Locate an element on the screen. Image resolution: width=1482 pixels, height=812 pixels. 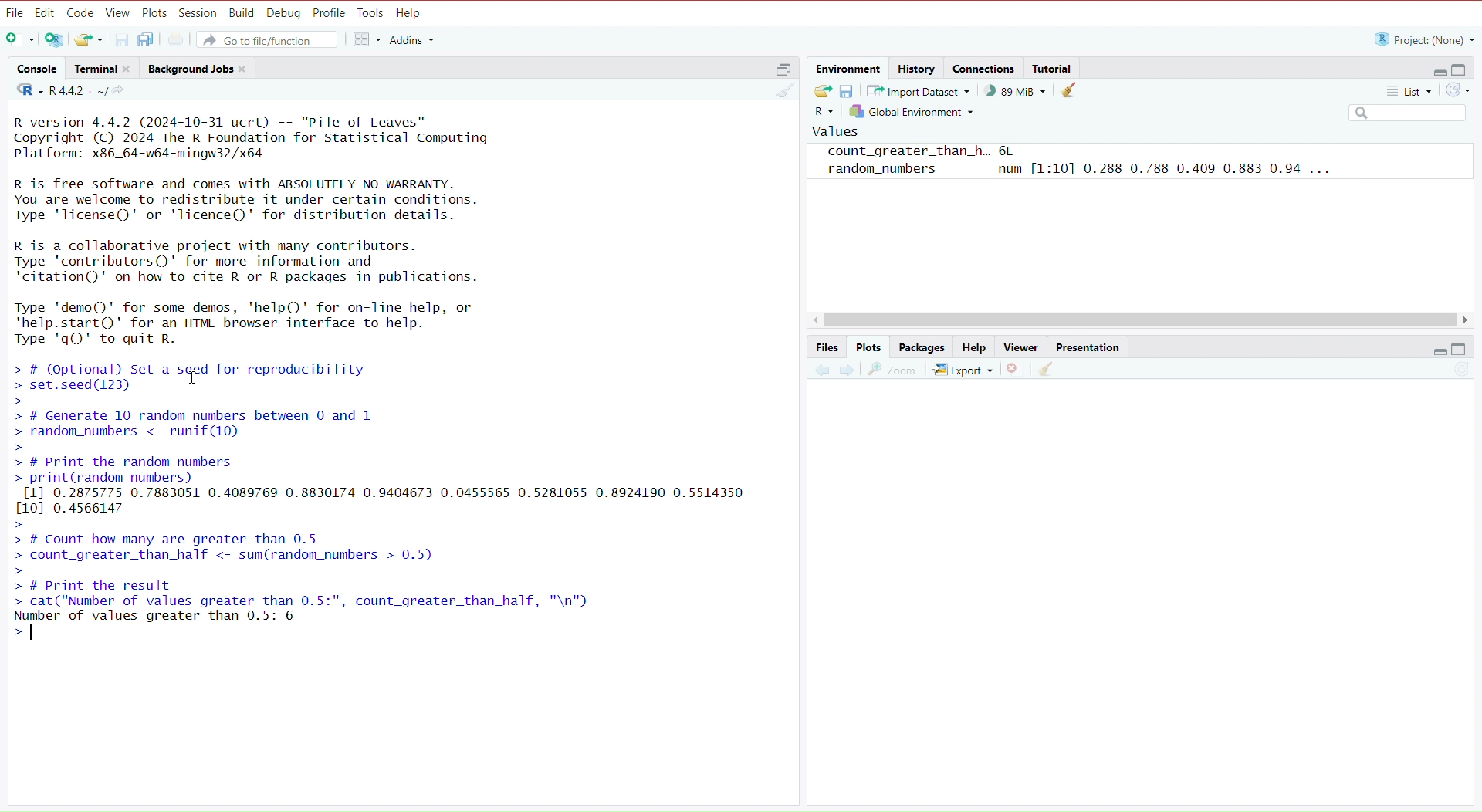
R442. ~/ is located at coordinates (69, 90).